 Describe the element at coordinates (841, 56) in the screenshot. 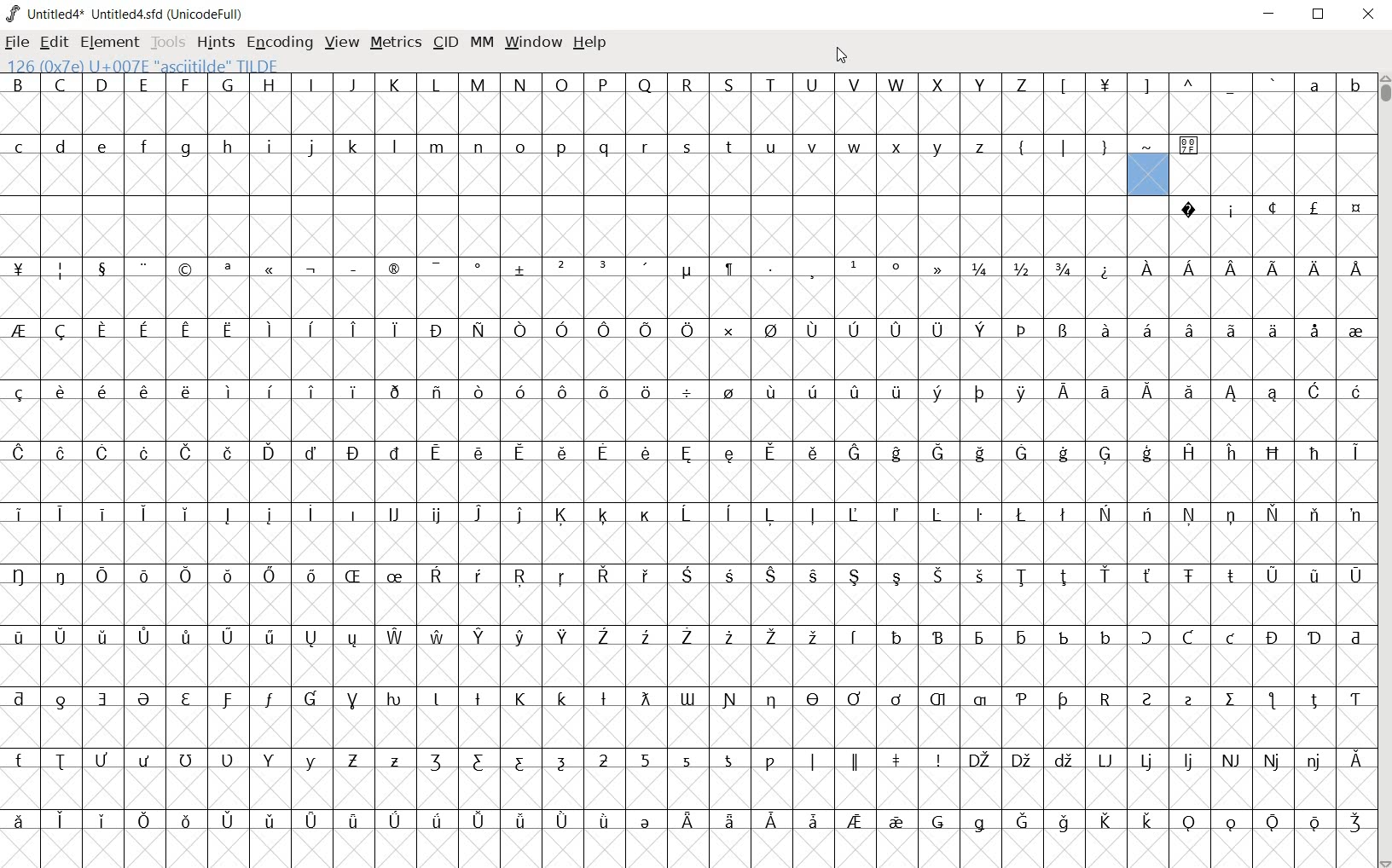

I see `CURSOR` at that location.